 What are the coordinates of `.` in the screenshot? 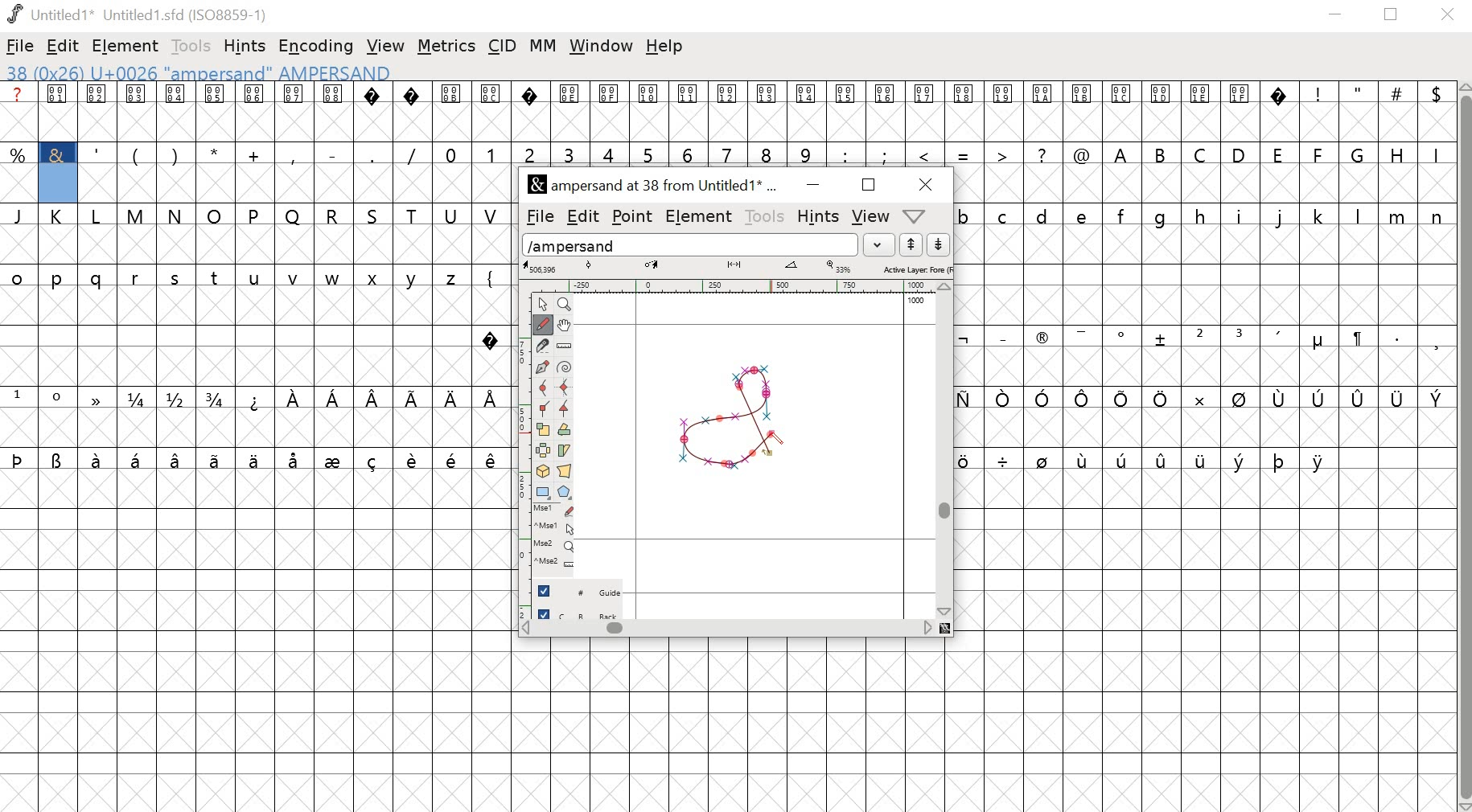 It's located at (1396, 337).